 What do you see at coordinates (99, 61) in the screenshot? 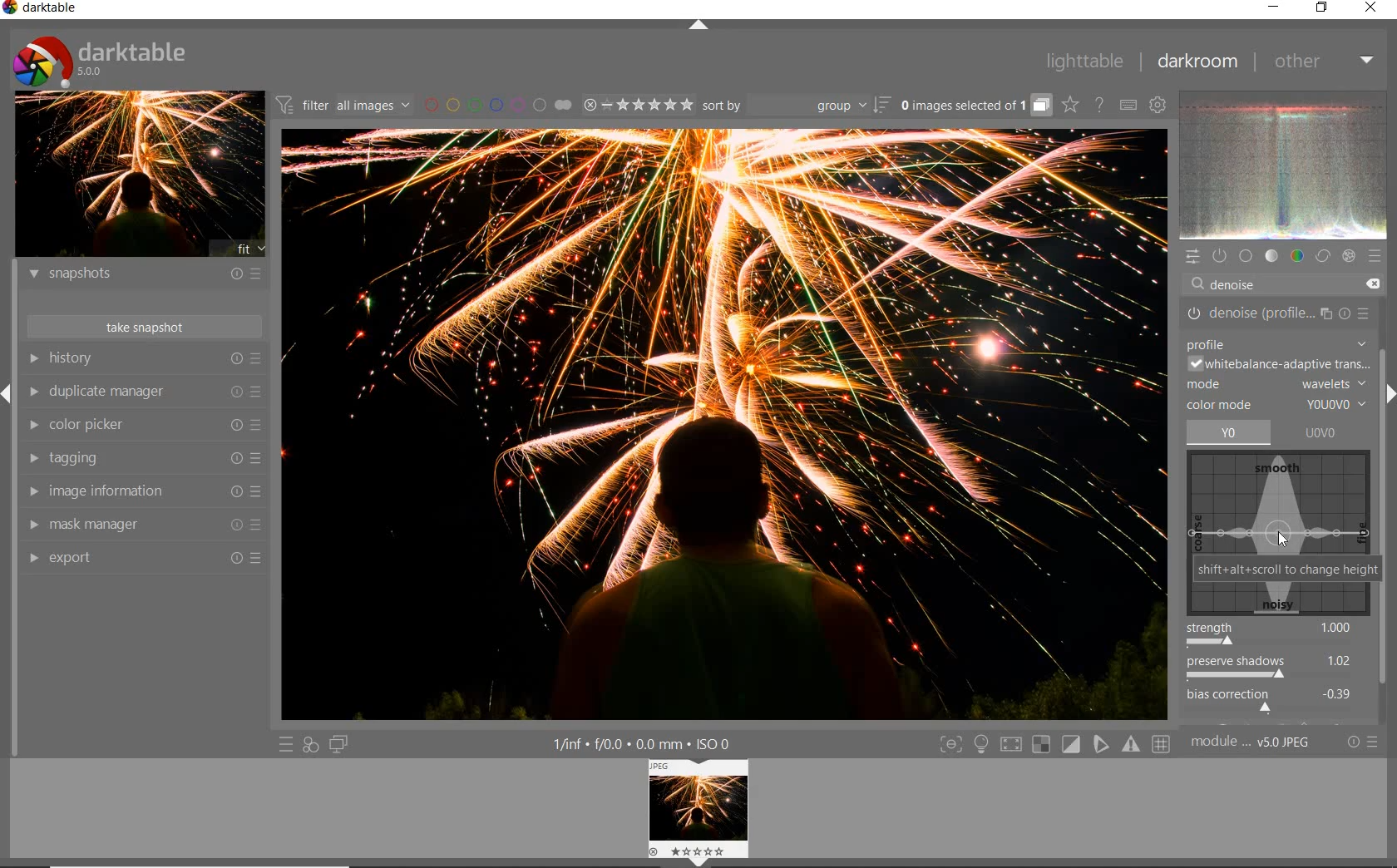
I see `Darktable 5.0.0` at bounding box center [99, 61].